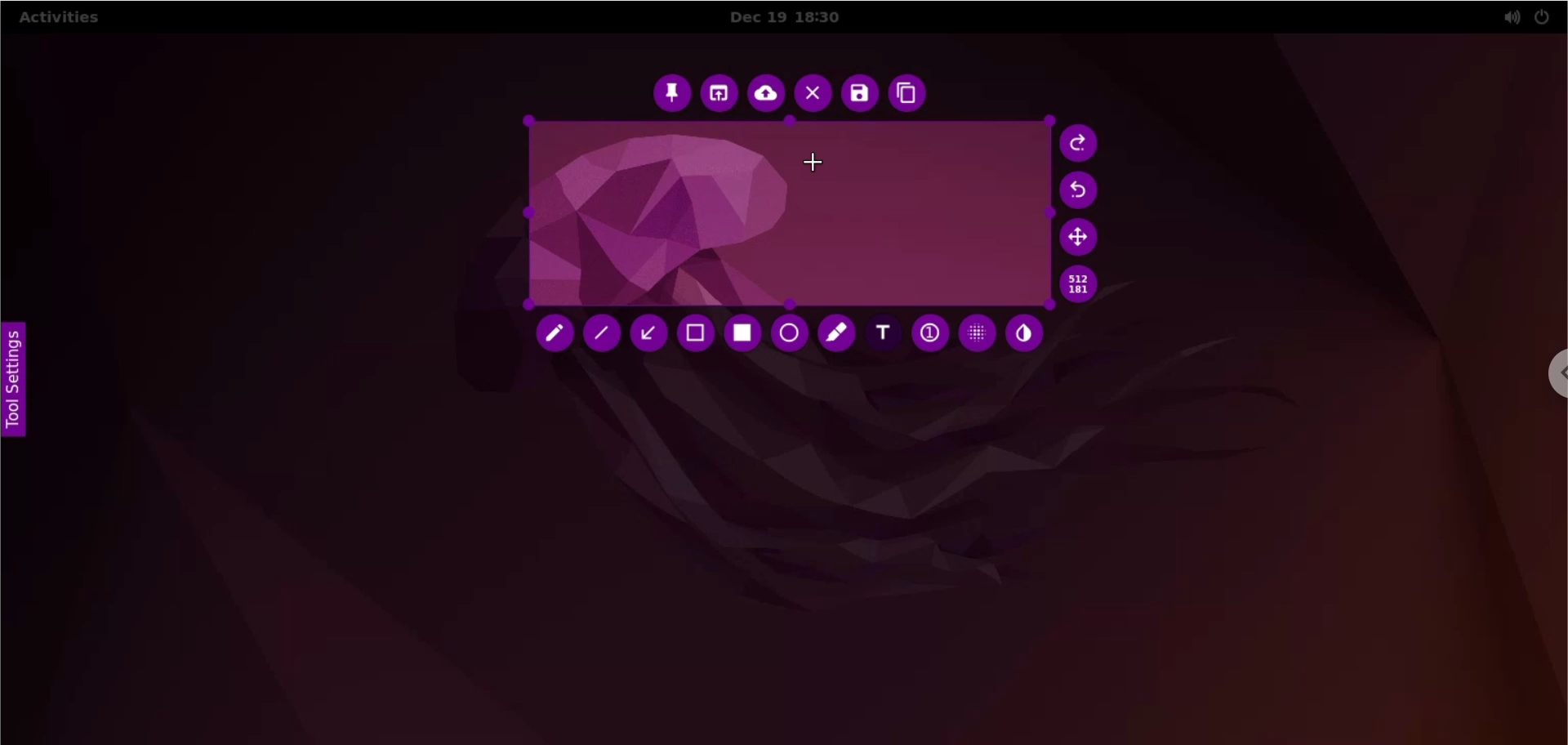 This screenshot has width=1568, height=745. What do you see at coordinates (1085, 190) in the screenshot?
I see `undo` at bounding box center [1085, 190].